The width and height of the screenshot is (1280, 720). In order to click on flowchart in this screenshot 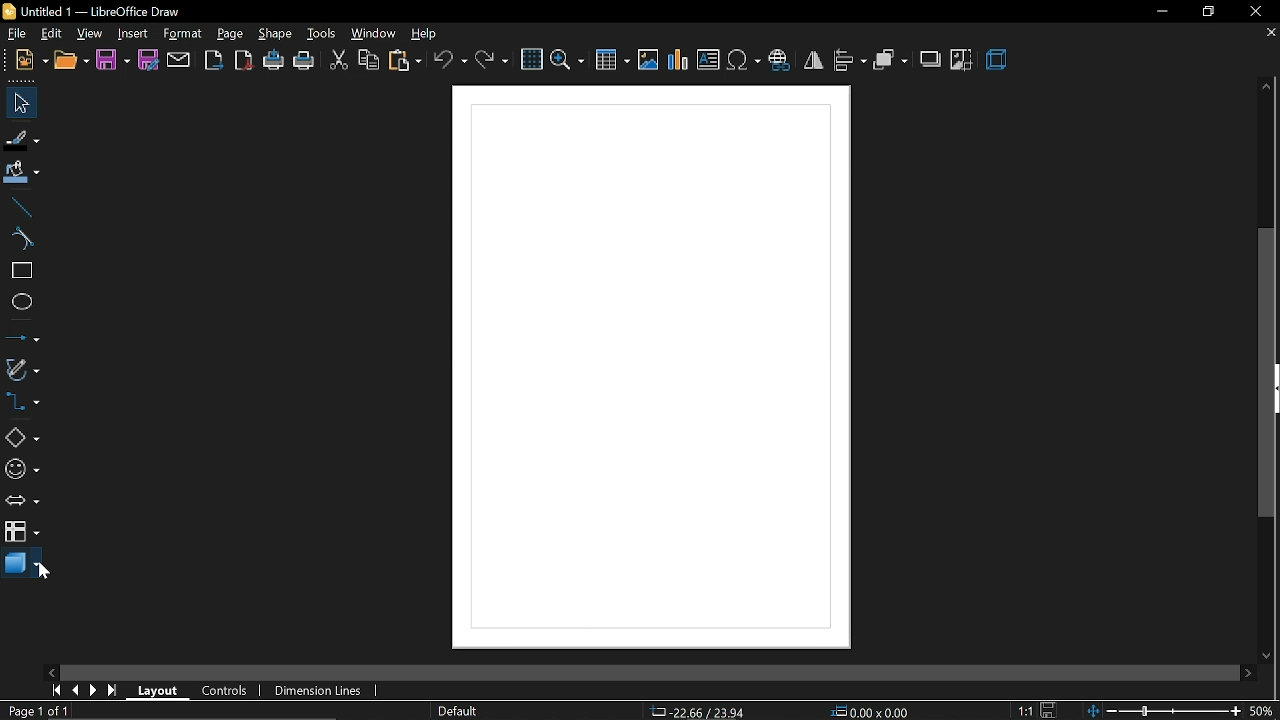, I will do `click(22, 531)`.